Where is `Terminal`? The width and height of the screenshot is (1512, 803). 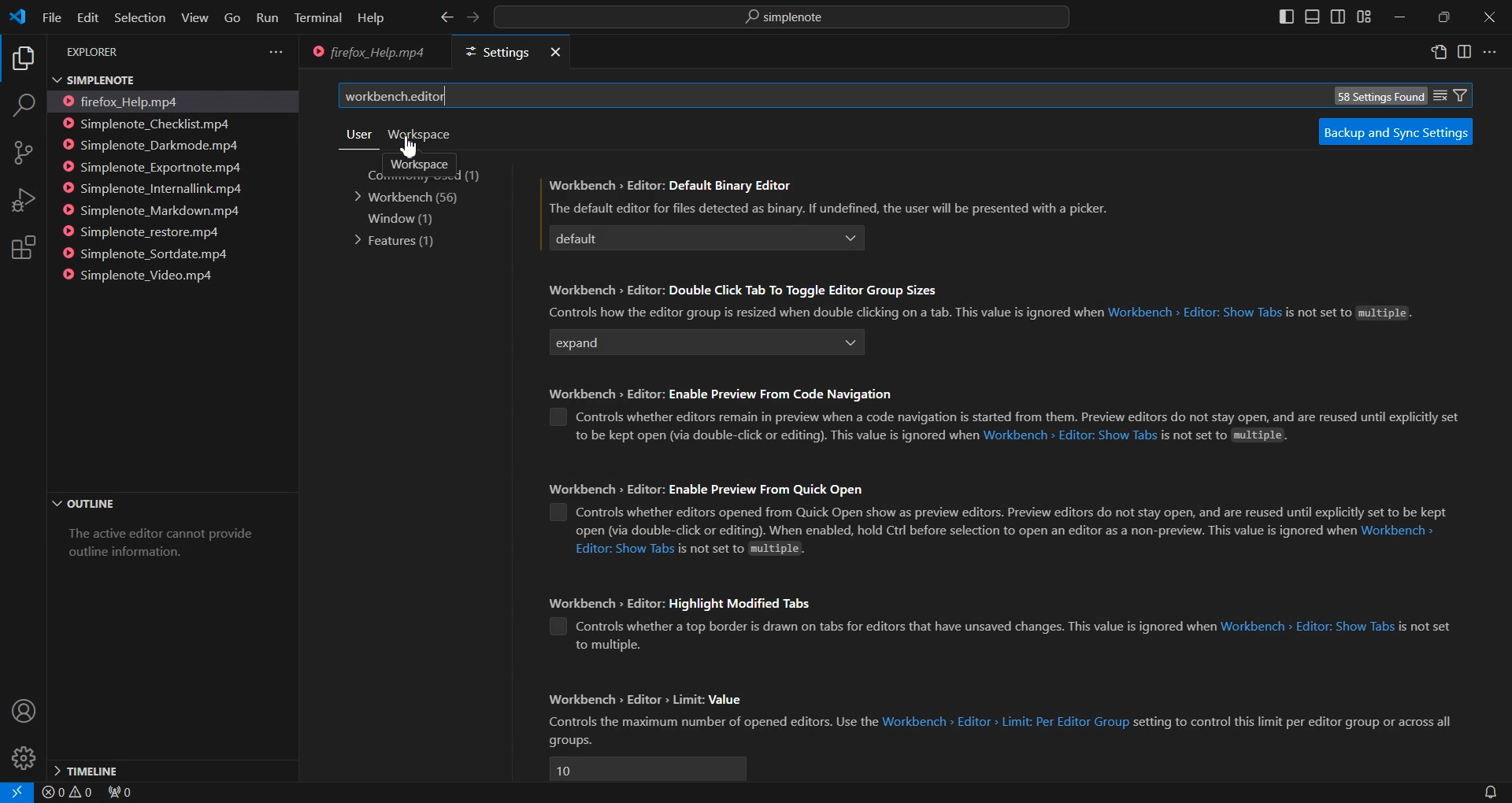
Terminal is located at coordinates (318, 19).